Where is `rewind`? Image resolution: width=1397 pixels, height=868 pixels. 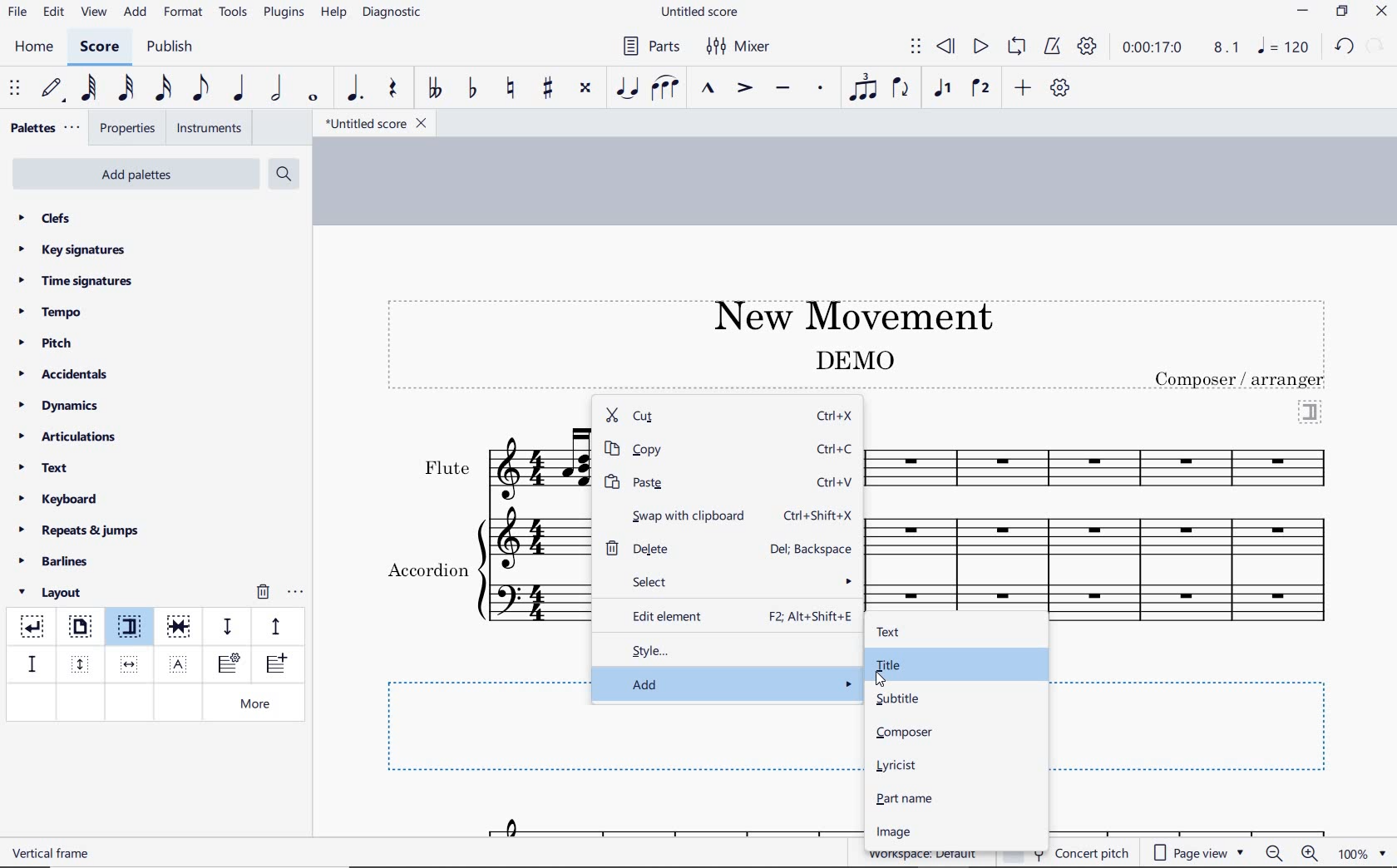
rewind is located at coordinates (947, 47).